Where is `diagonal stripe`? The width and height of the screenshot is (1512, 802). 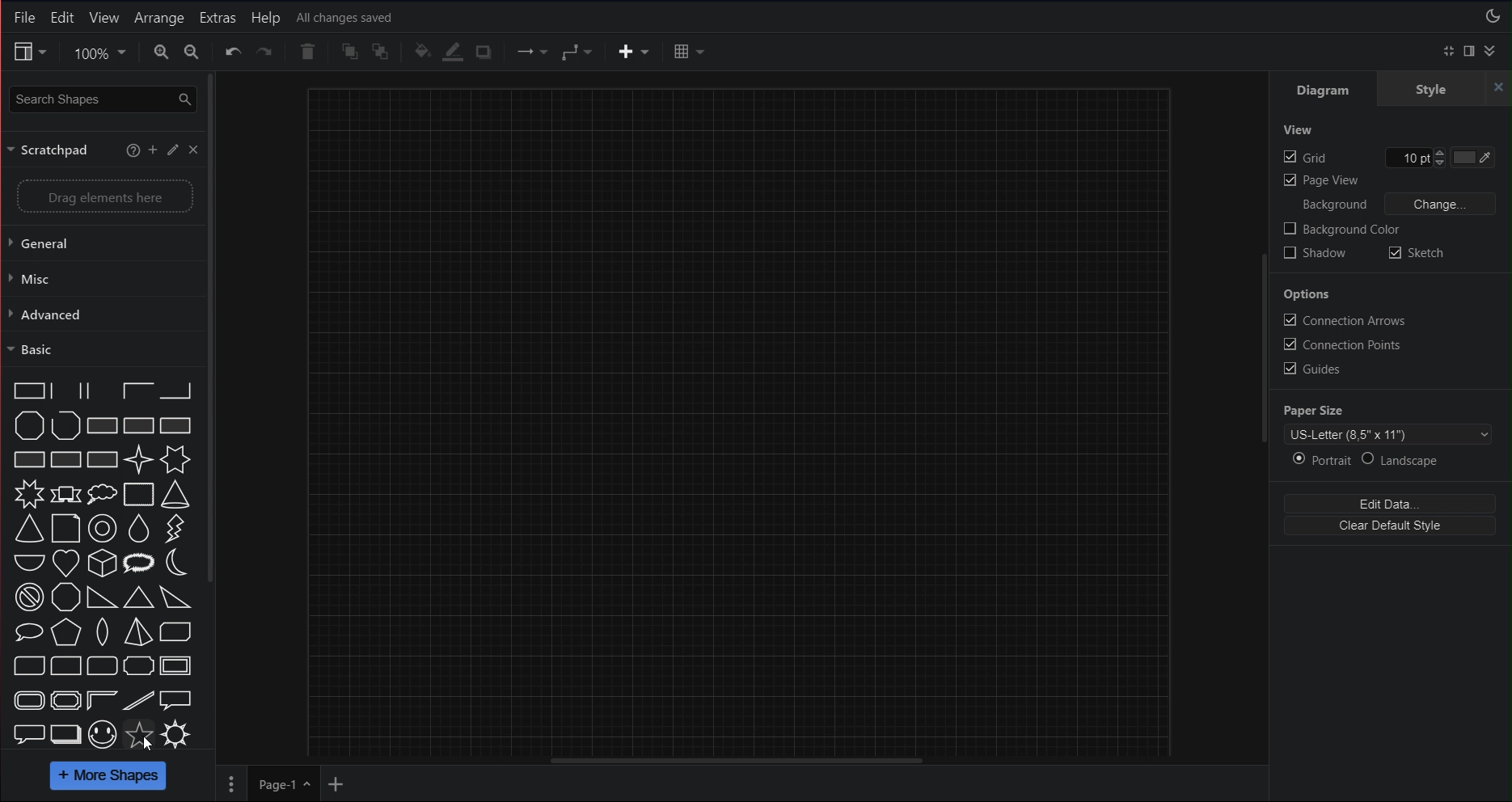 diagonal stripe is located at coordinates (139, 700).